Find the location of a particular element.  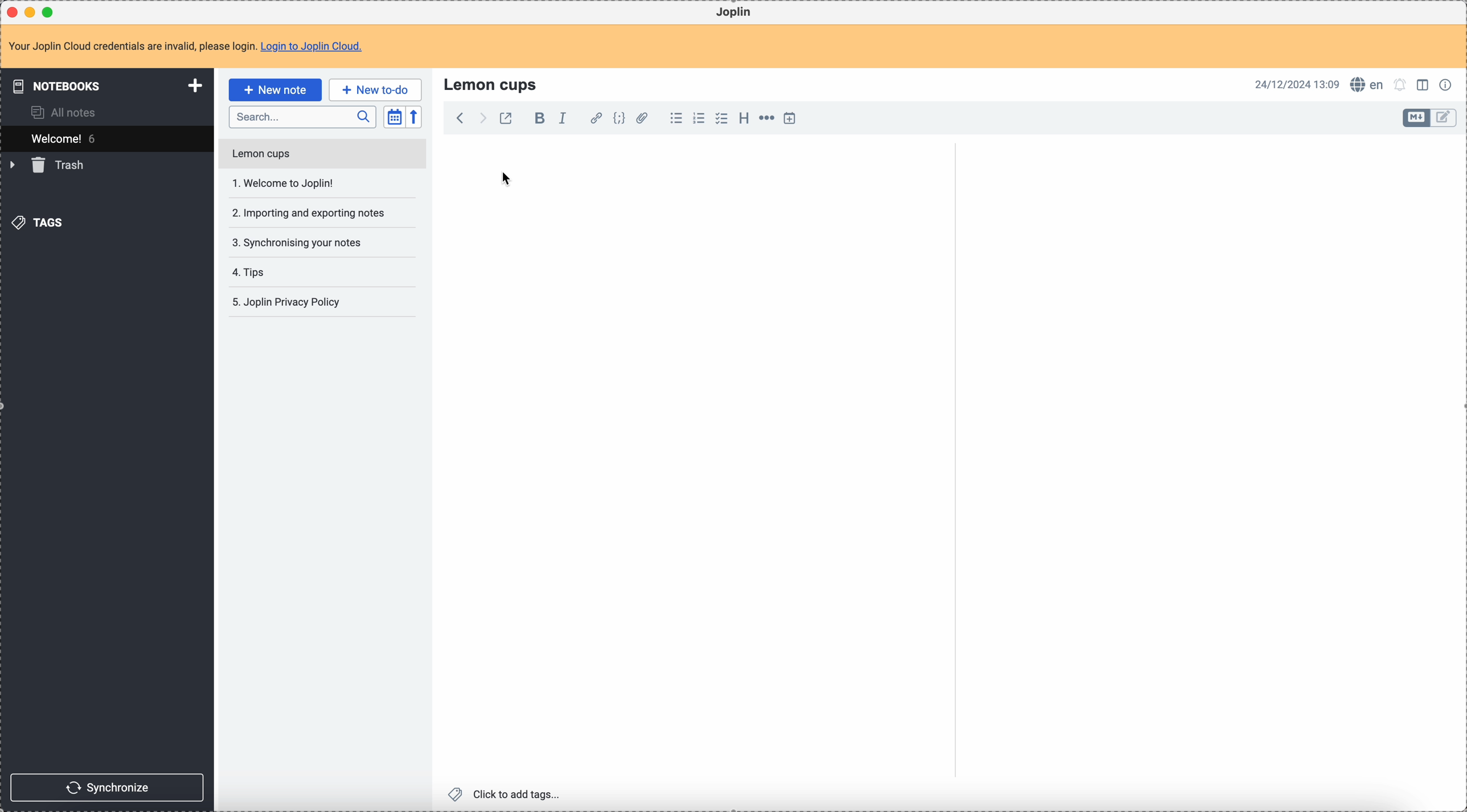

welcome is located at coordinates (106, 138).